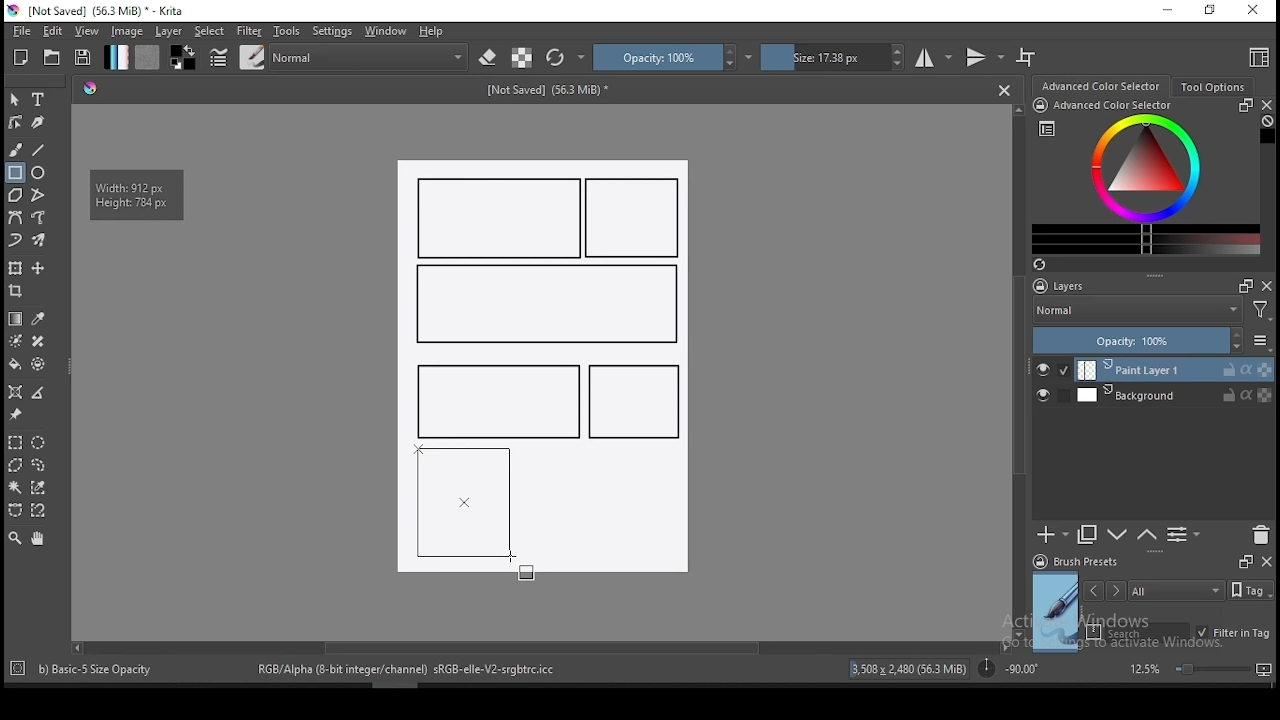 Image resolution: width=1280 pixels, height=720 pixels. What do you see at coordinates (1008, 667) in the screenshot?
I see `rotation` at bounding box center [1008, 667].